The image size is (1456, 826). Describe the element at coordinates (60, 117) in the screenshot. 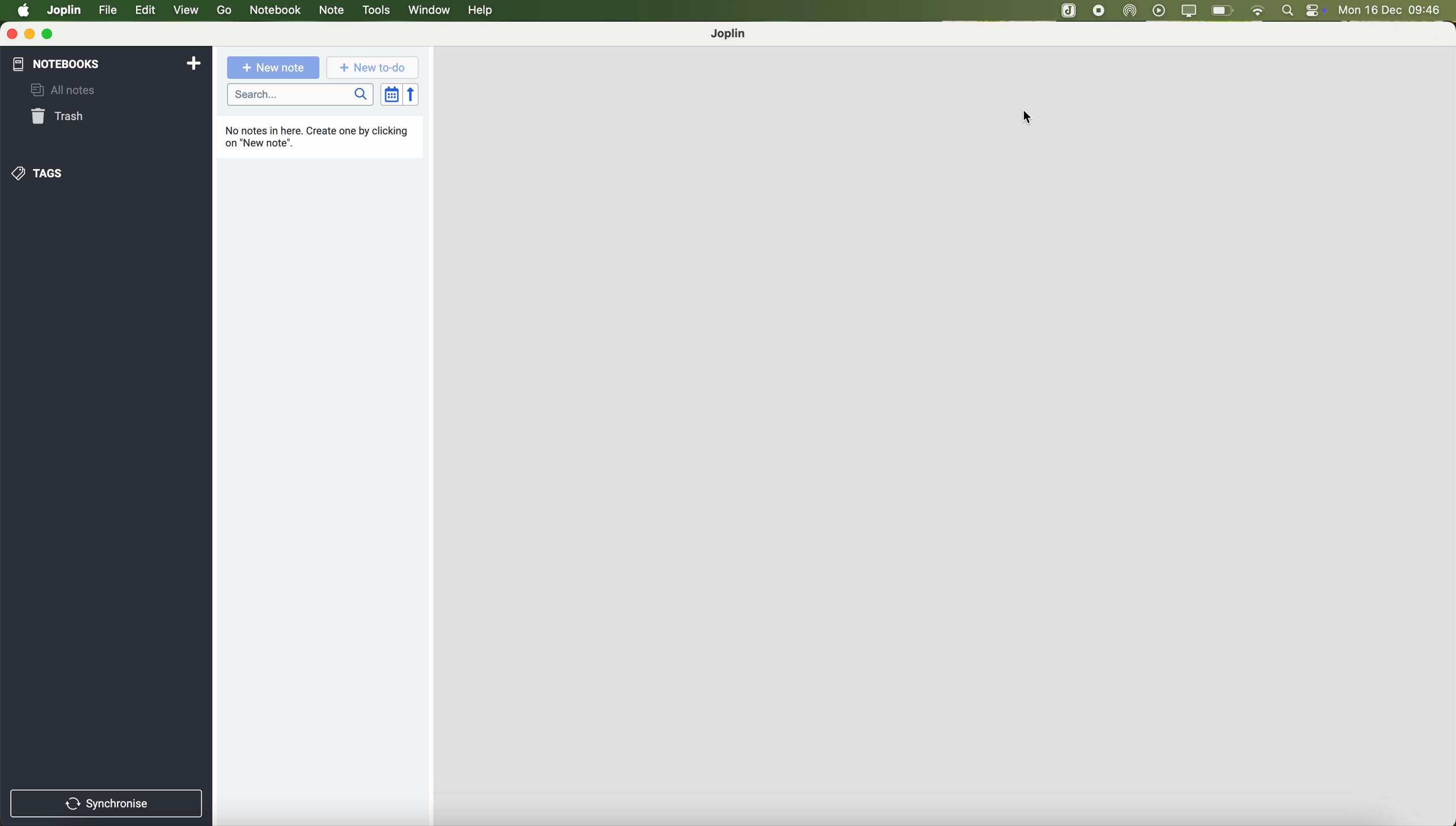

I see `trash` at that location.